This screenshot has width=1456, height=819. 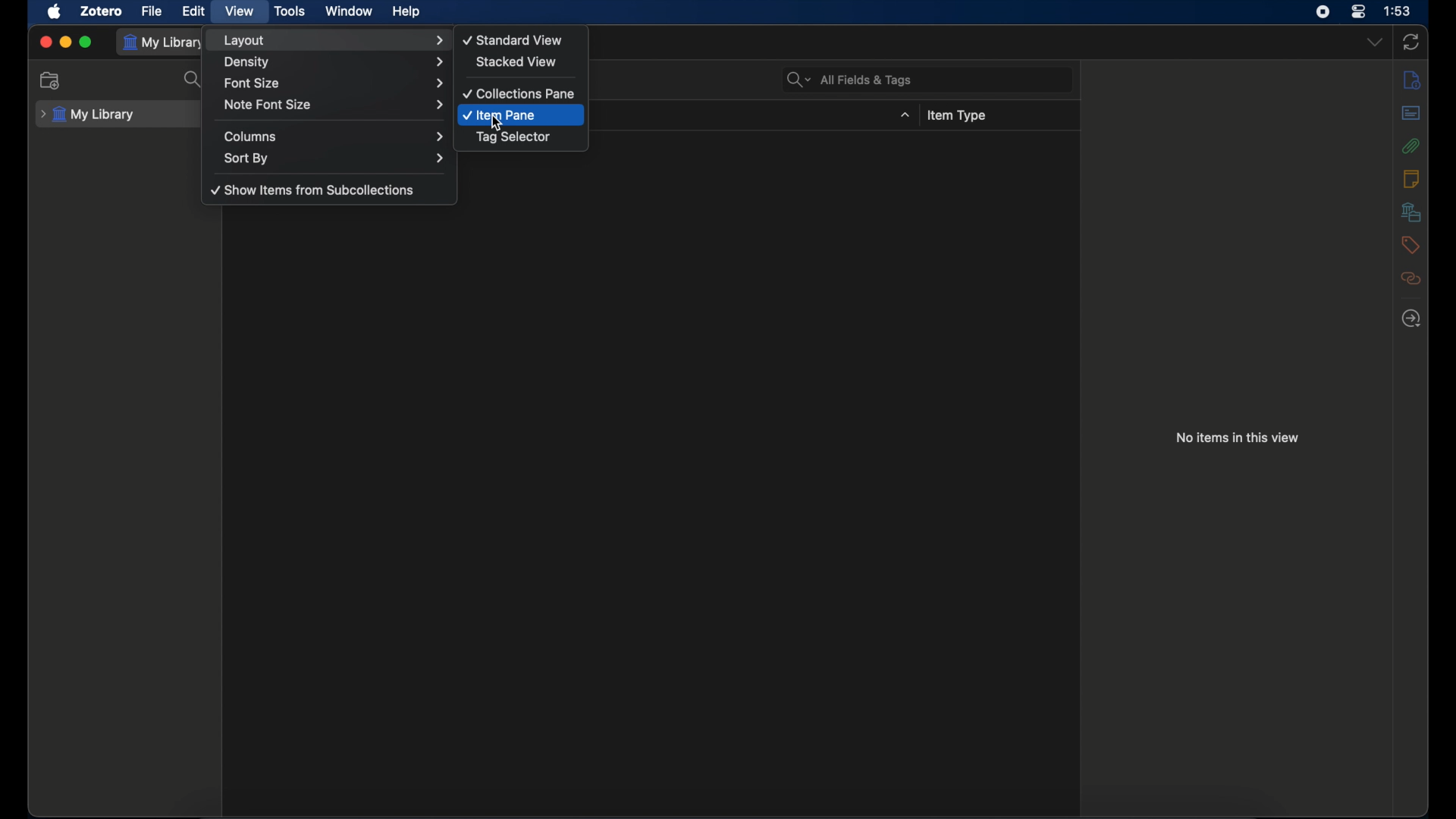 What do you see at coordinates (152, 11) in the screenshot?
I see `file` at bounding box center [152, 11].